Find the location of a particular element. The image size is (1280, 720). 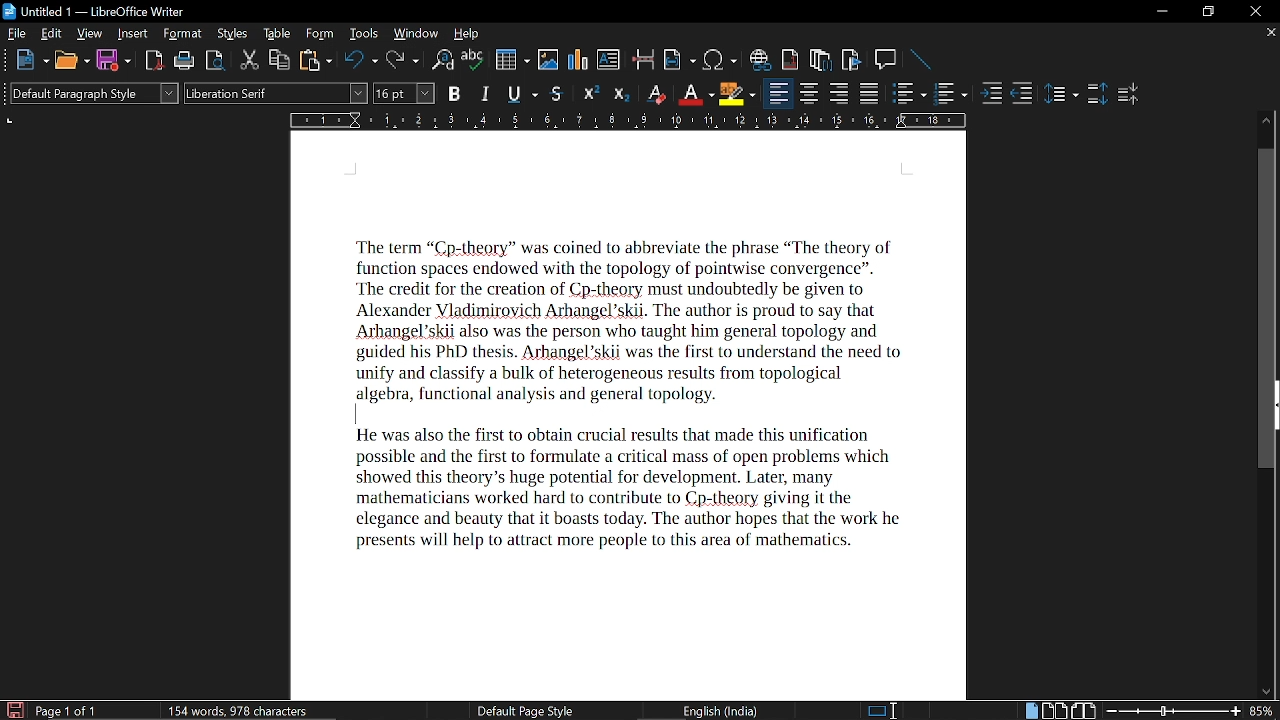

Toggle ordered list is located at coordinates (909, 95).